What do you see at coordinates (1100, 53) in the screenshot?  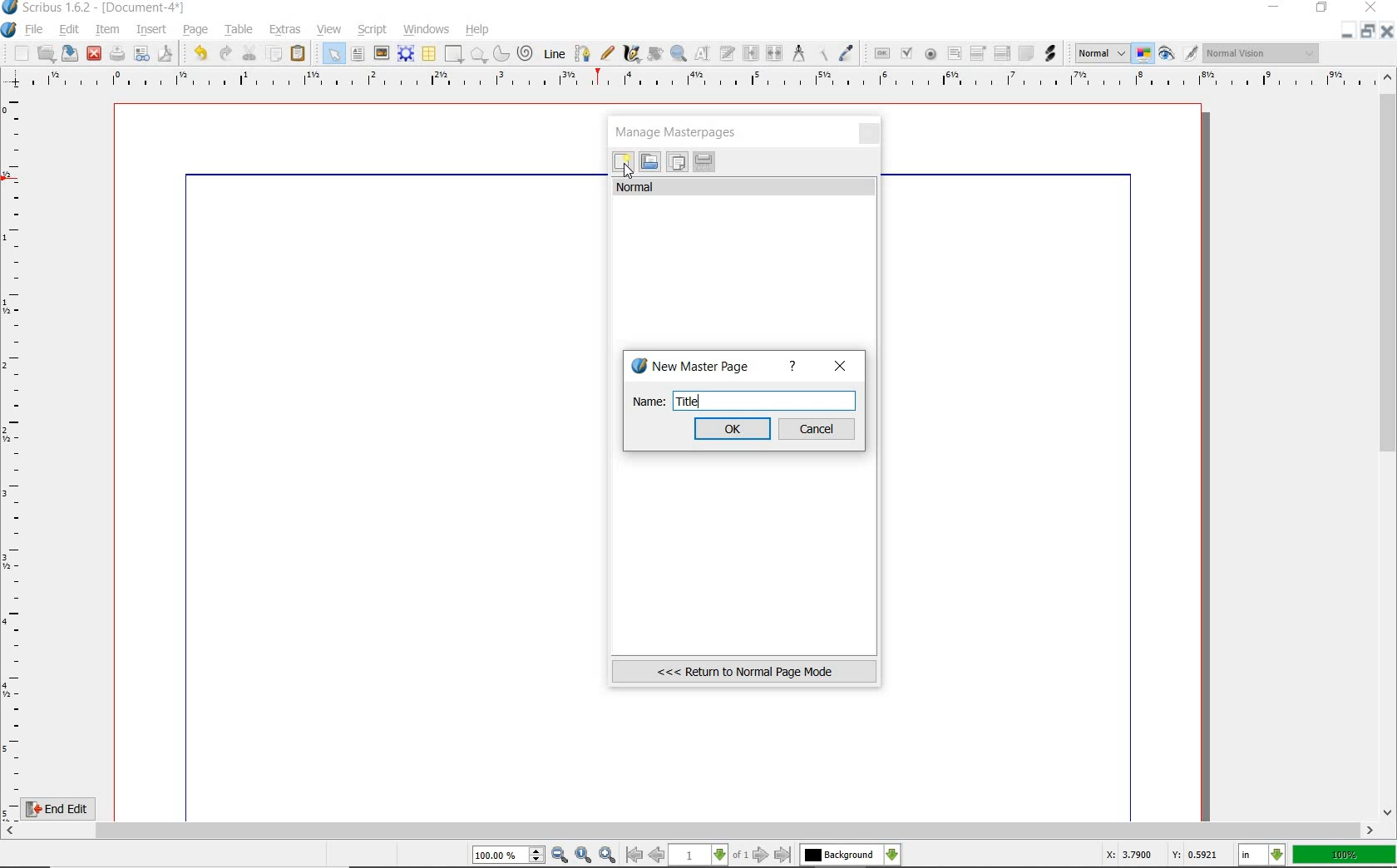 I see `Normal` at bounding box center [1100, 53].